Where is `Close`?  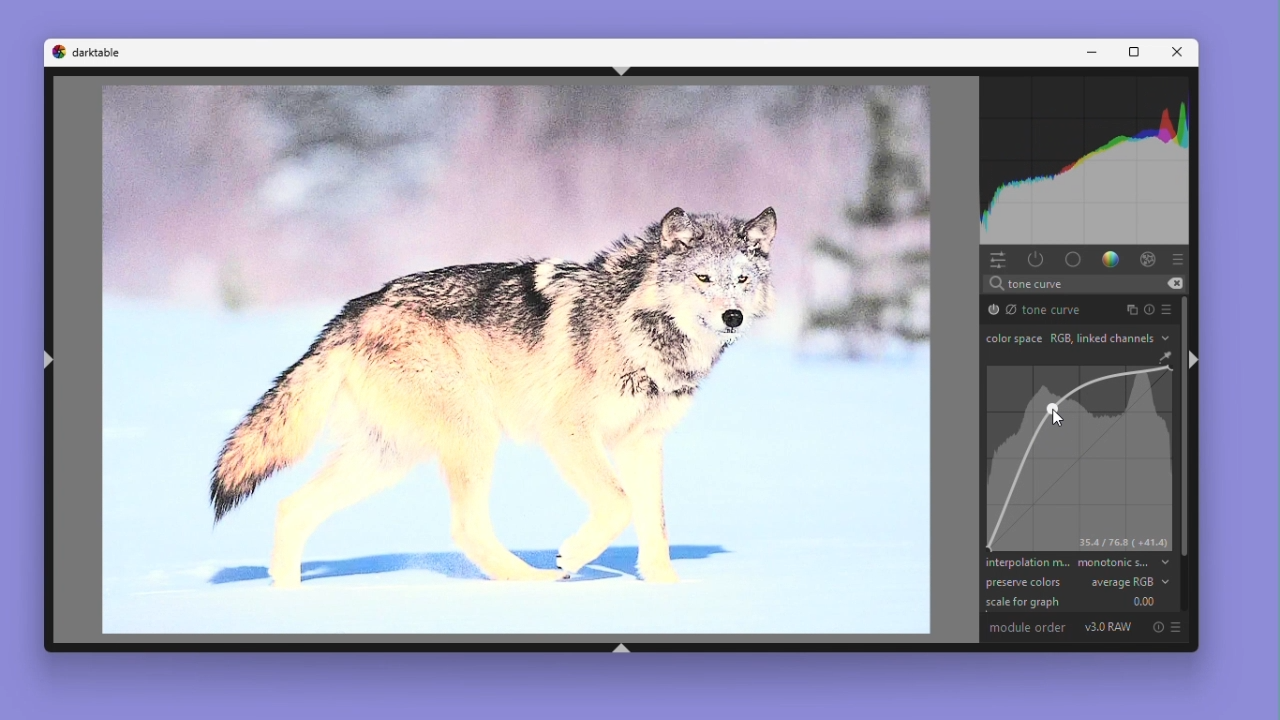
Close is located at coordinates (1179, 53).